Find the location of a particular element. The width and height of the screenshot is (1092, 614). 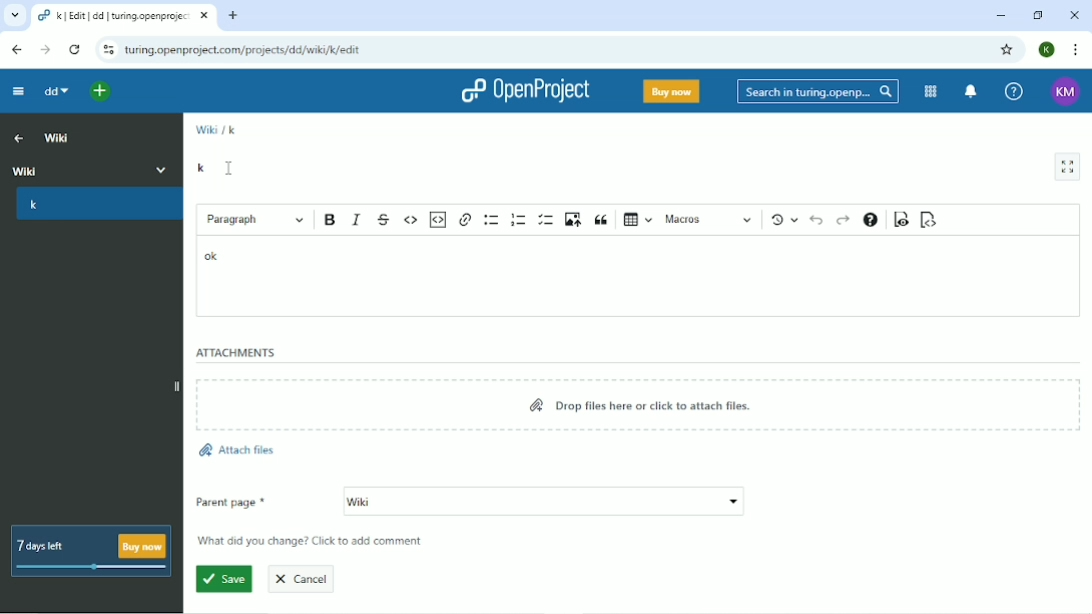

Search is located at coordinates (817, 91).